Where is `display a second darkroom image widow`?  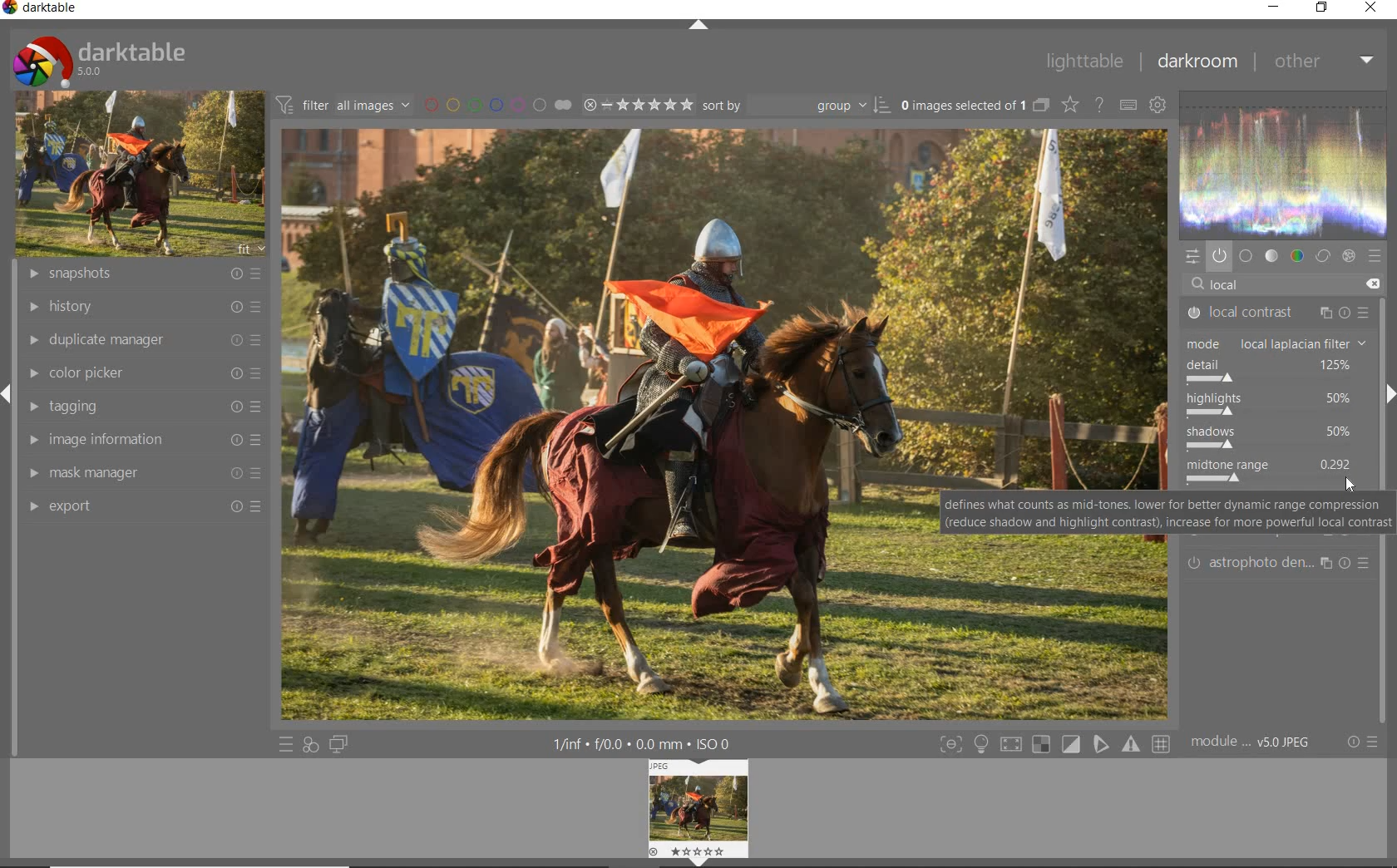 display a second darkroom image widow is located at coordinates (340, 744).